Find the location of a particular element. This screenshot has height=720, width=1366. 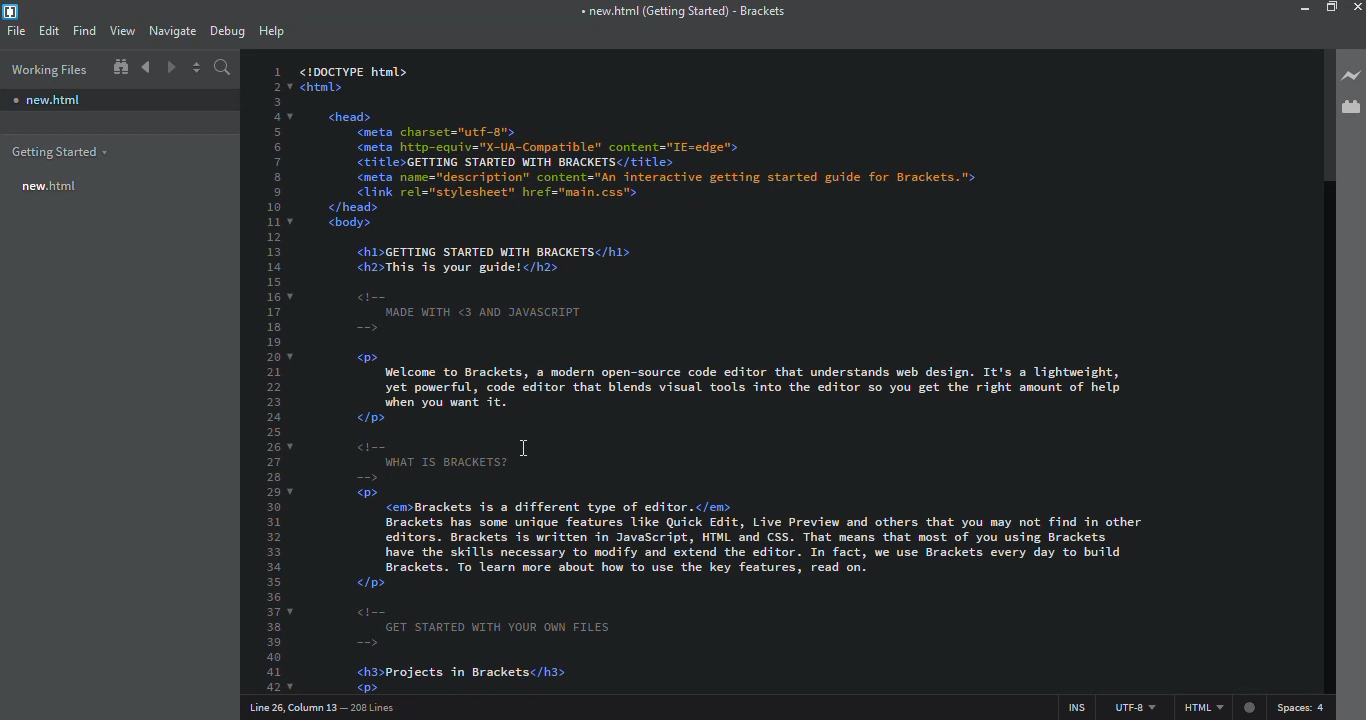

help is located at coordinates (273, 32).